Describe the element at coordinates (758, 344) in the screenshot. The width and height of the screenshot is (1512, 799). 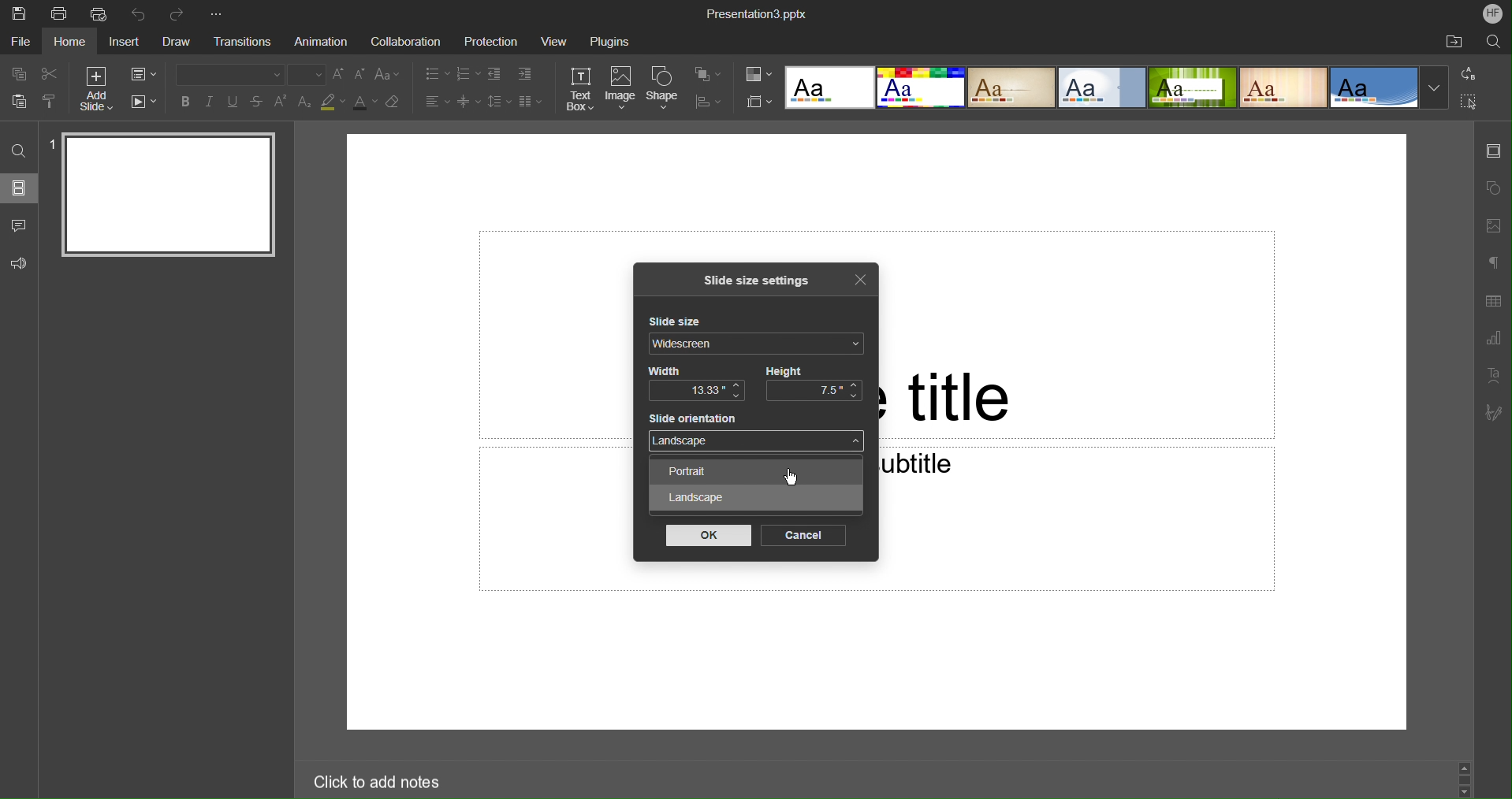
I see `Widescreen` at that location.